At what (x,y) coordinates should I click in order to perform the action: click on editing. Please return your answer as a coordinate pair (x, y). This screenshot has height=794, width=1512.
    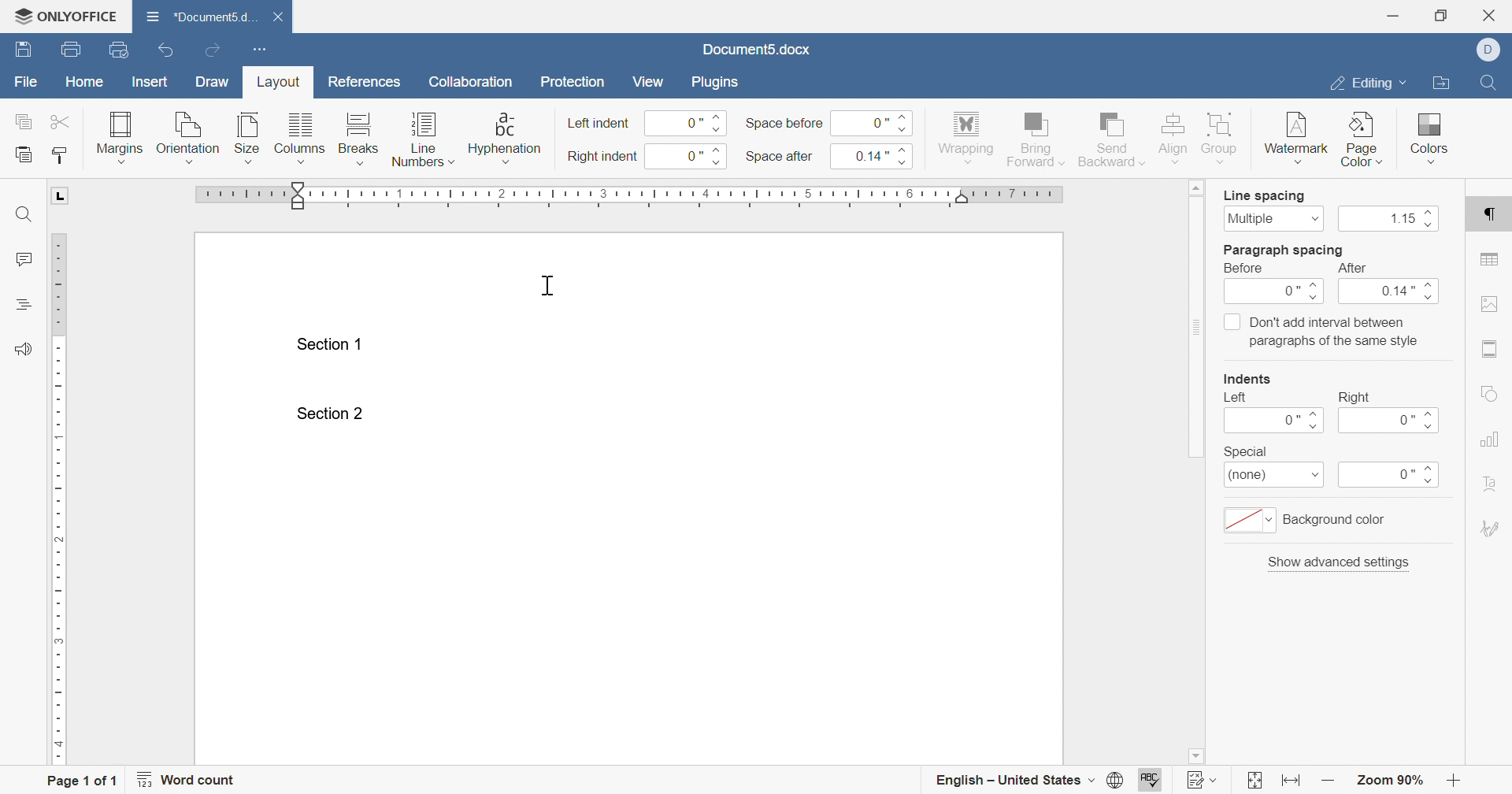
    Looking at the image, I should click on (1368, 86).